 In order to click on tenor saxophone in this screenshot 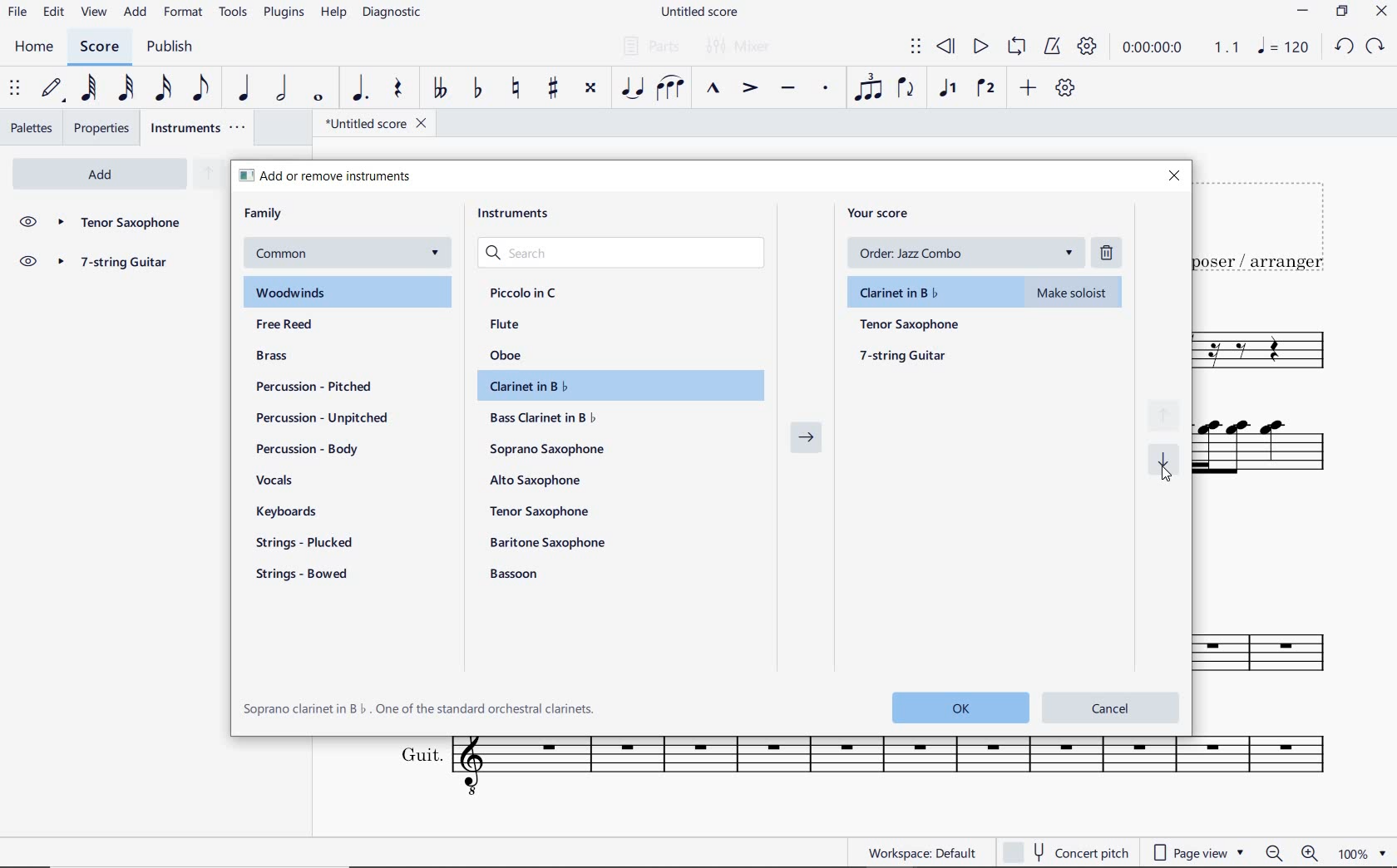, I will do `click(542, 510)`.